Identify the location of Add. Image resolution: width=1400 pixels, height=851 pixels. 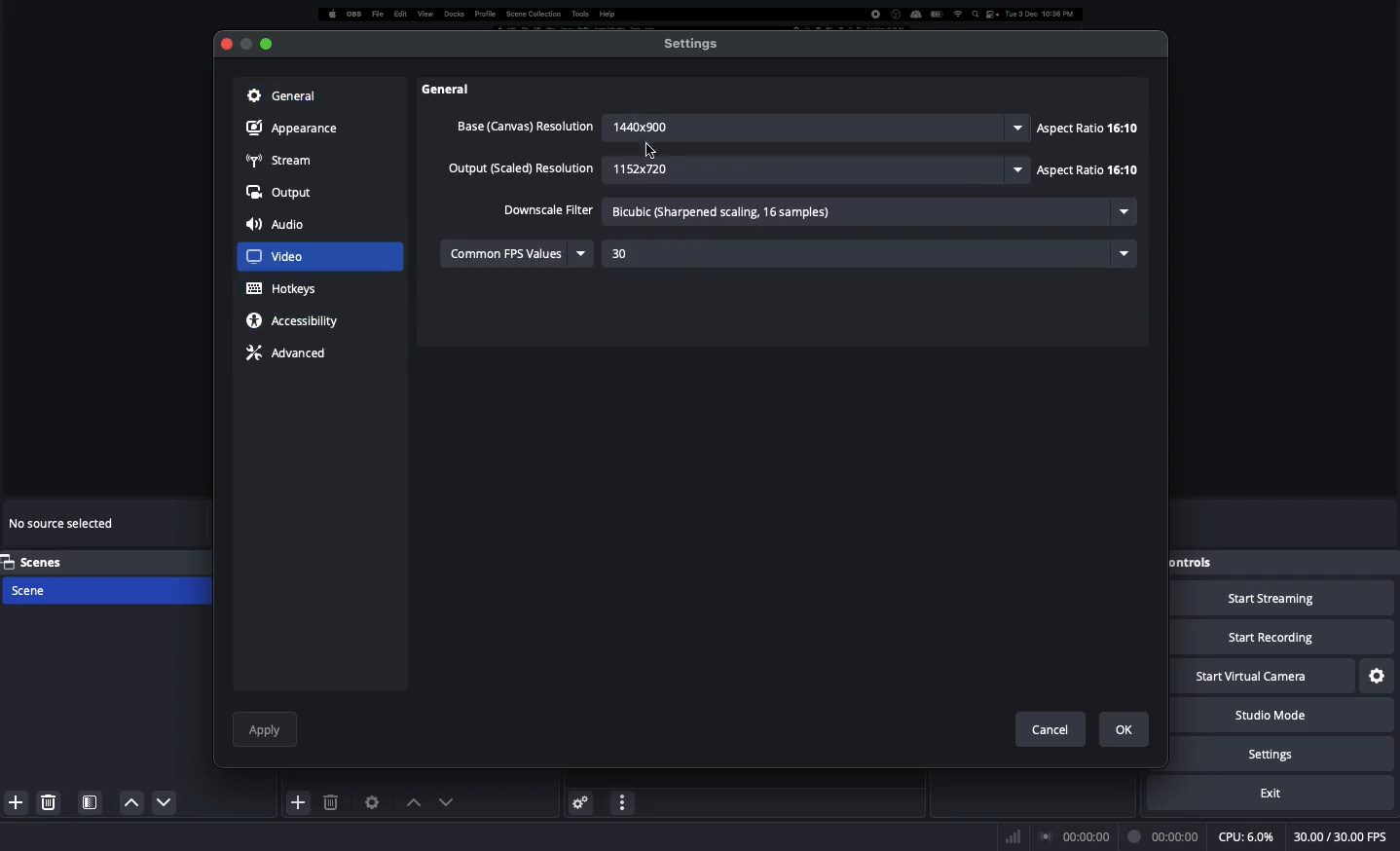
(13, 800).